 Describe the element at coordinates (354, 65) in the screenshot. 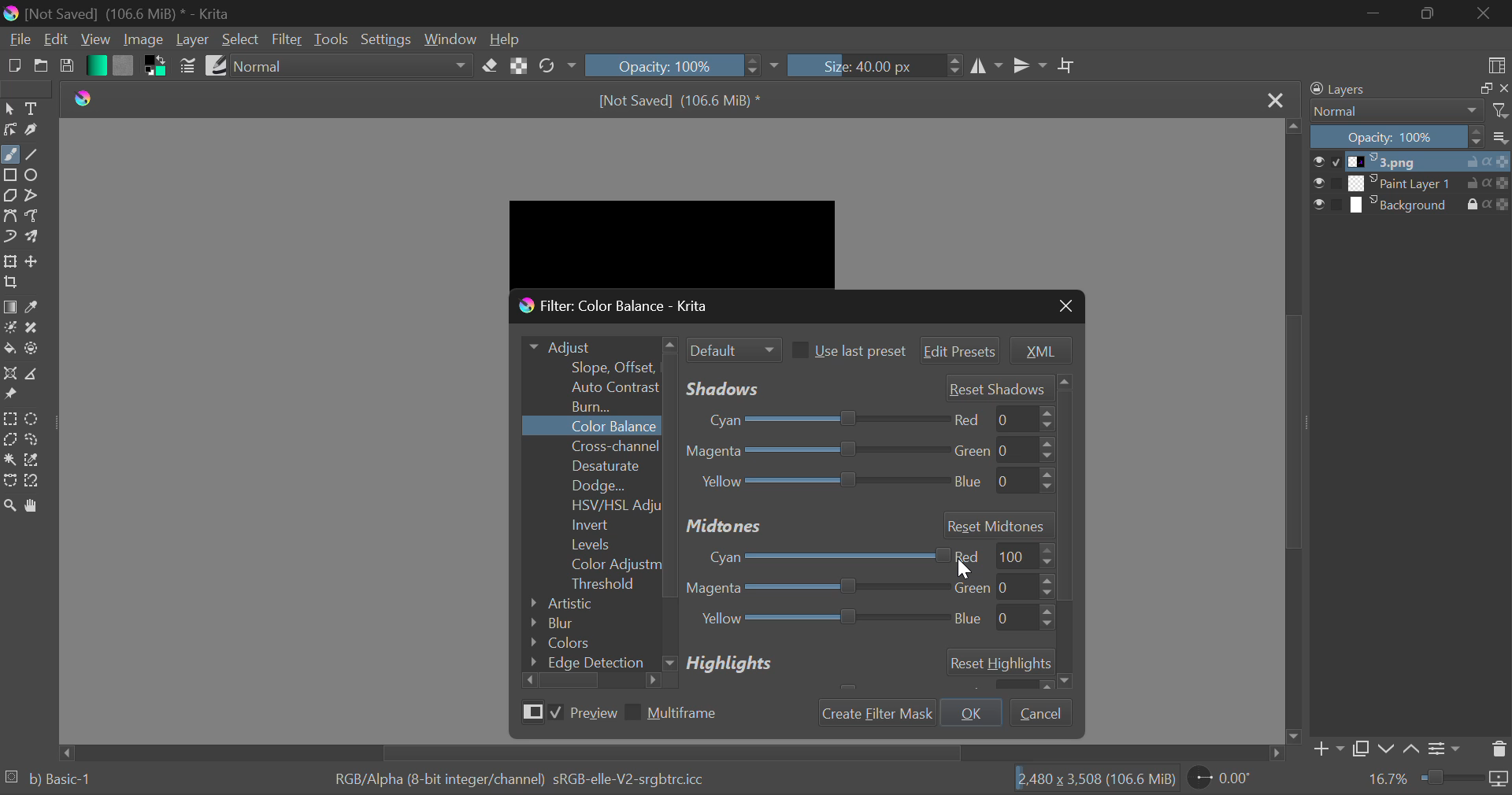

I see `Blending Mode` at that location.